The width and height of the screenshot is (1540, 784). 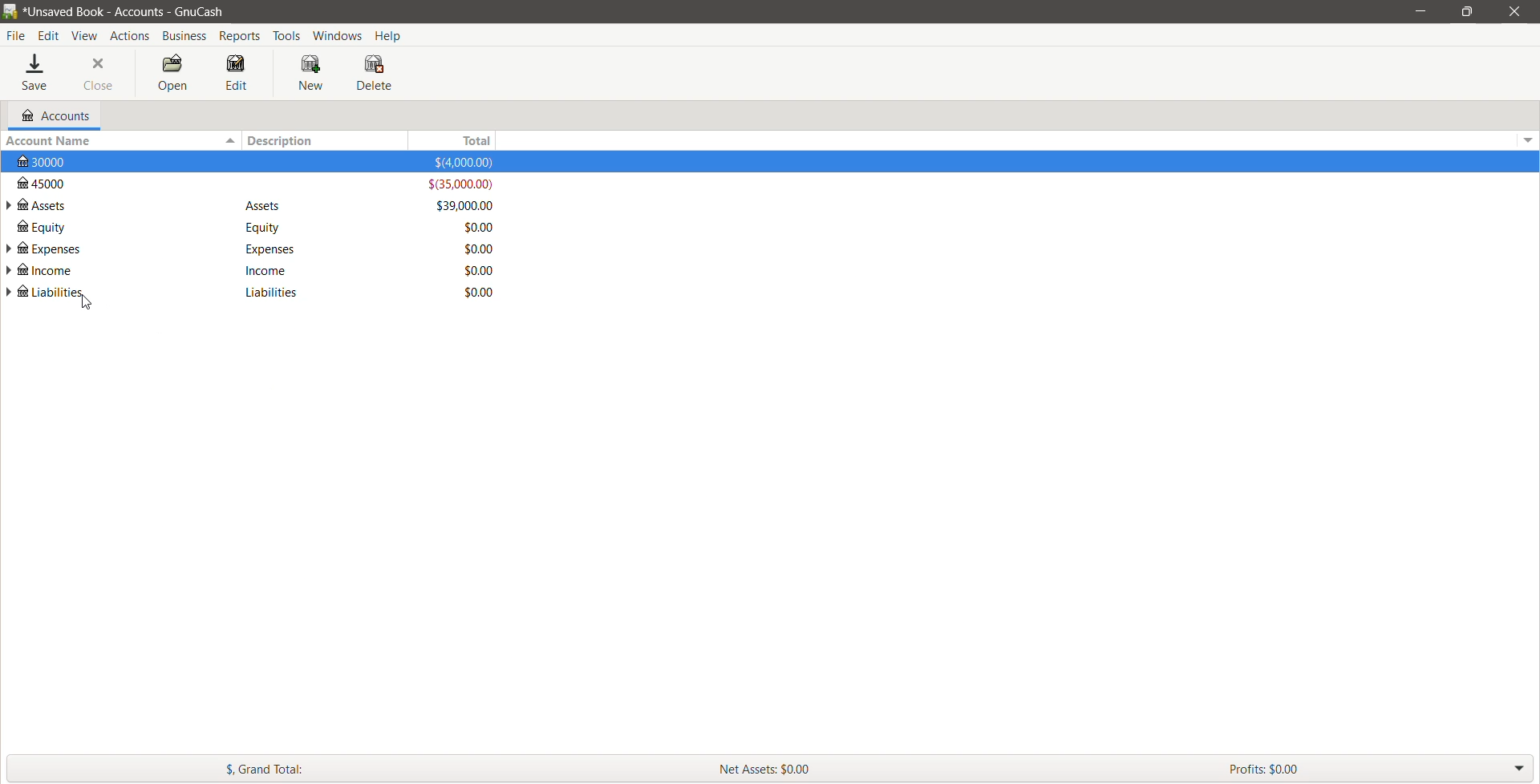 What do you see at coordinates (268, 293) in the screenshot?
I see `details of the account "Liabilities"` at bounding box center [268, 293].